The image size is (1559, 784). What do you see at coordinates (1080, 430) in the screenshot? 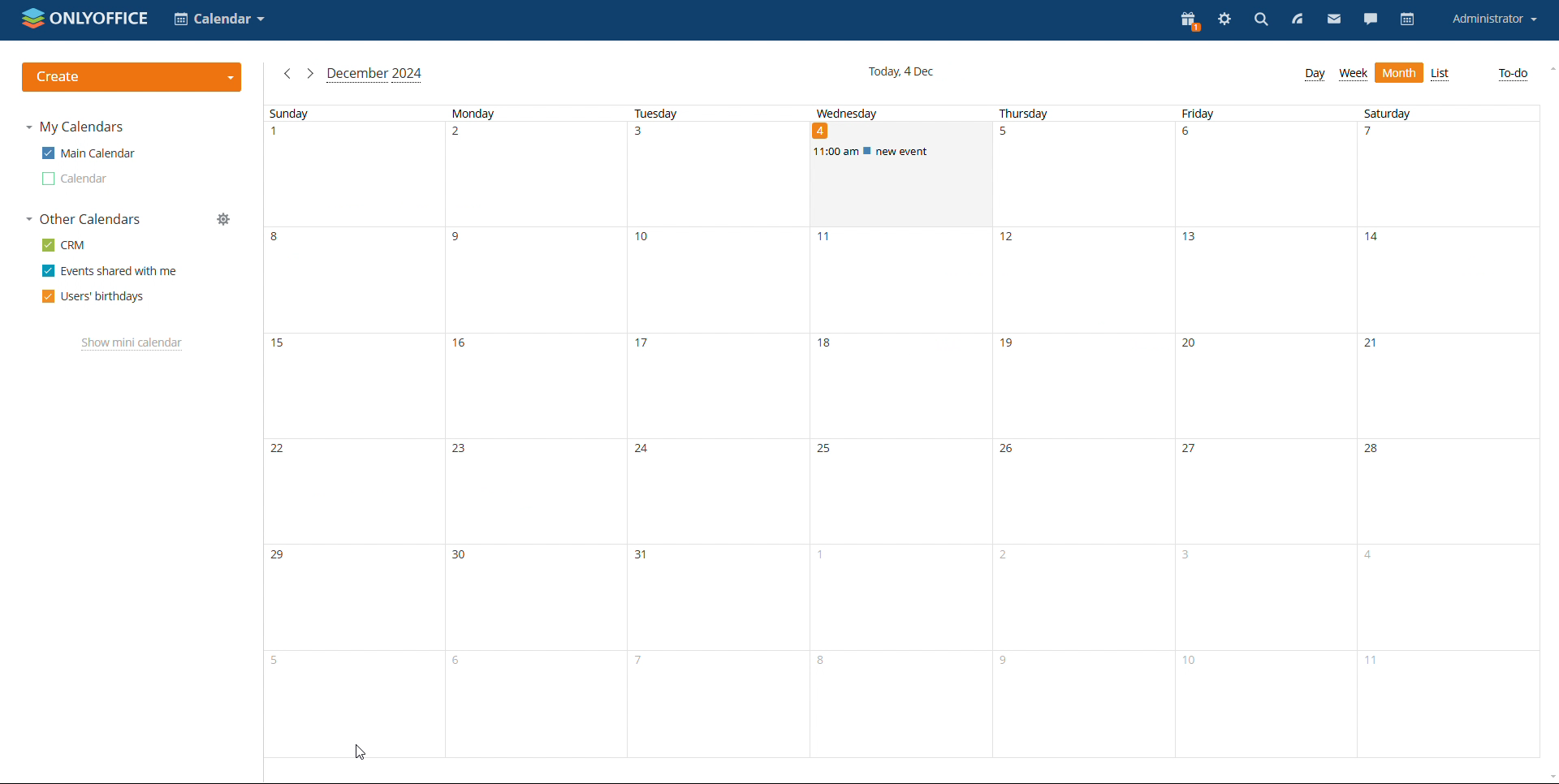
I see `thursday` at bounding box center [1080, 430].